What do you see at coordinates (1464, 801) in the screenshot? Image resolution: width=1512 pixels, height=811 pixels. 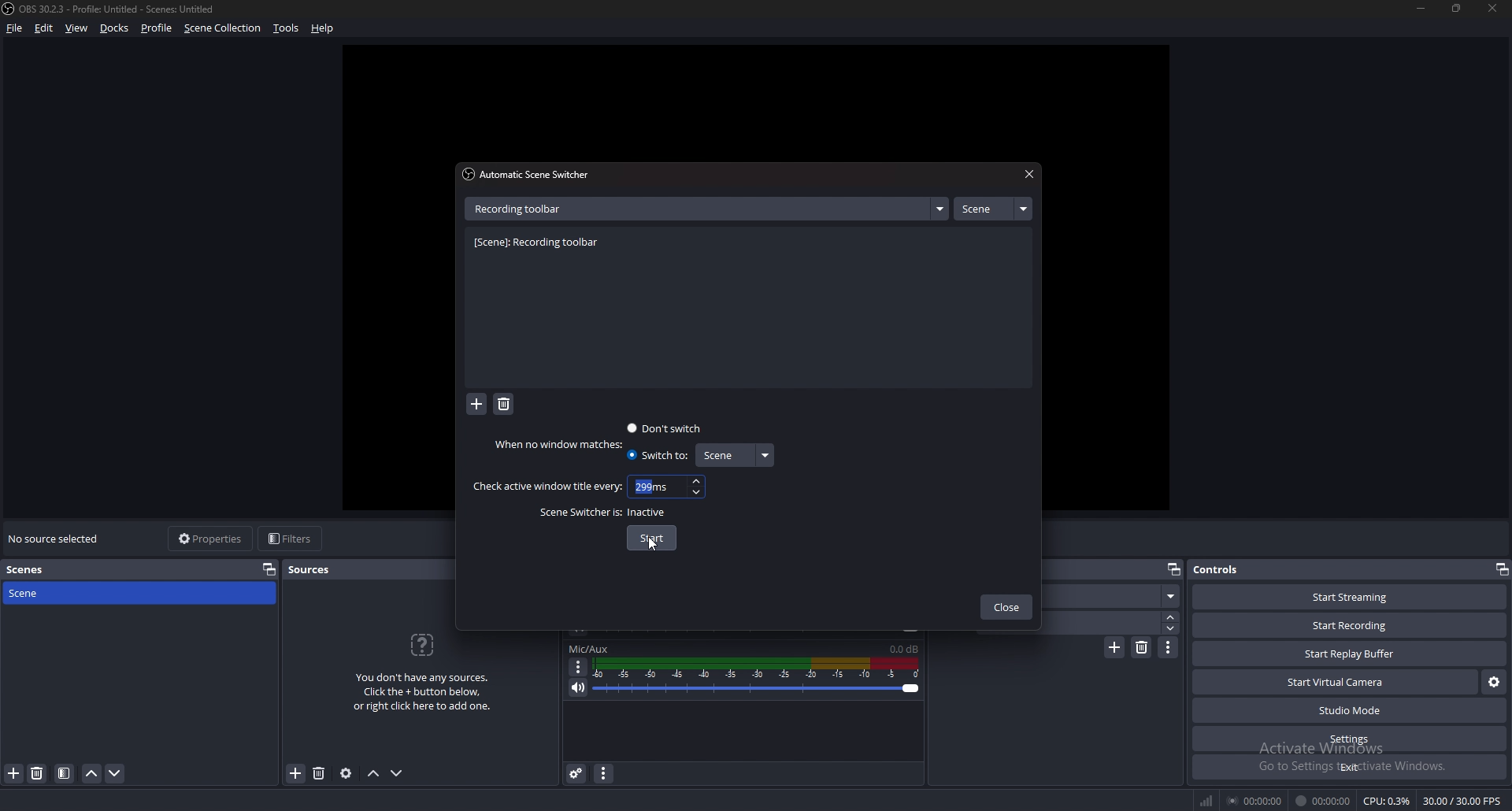 I see `fps` at bounding box center [1464, 801].